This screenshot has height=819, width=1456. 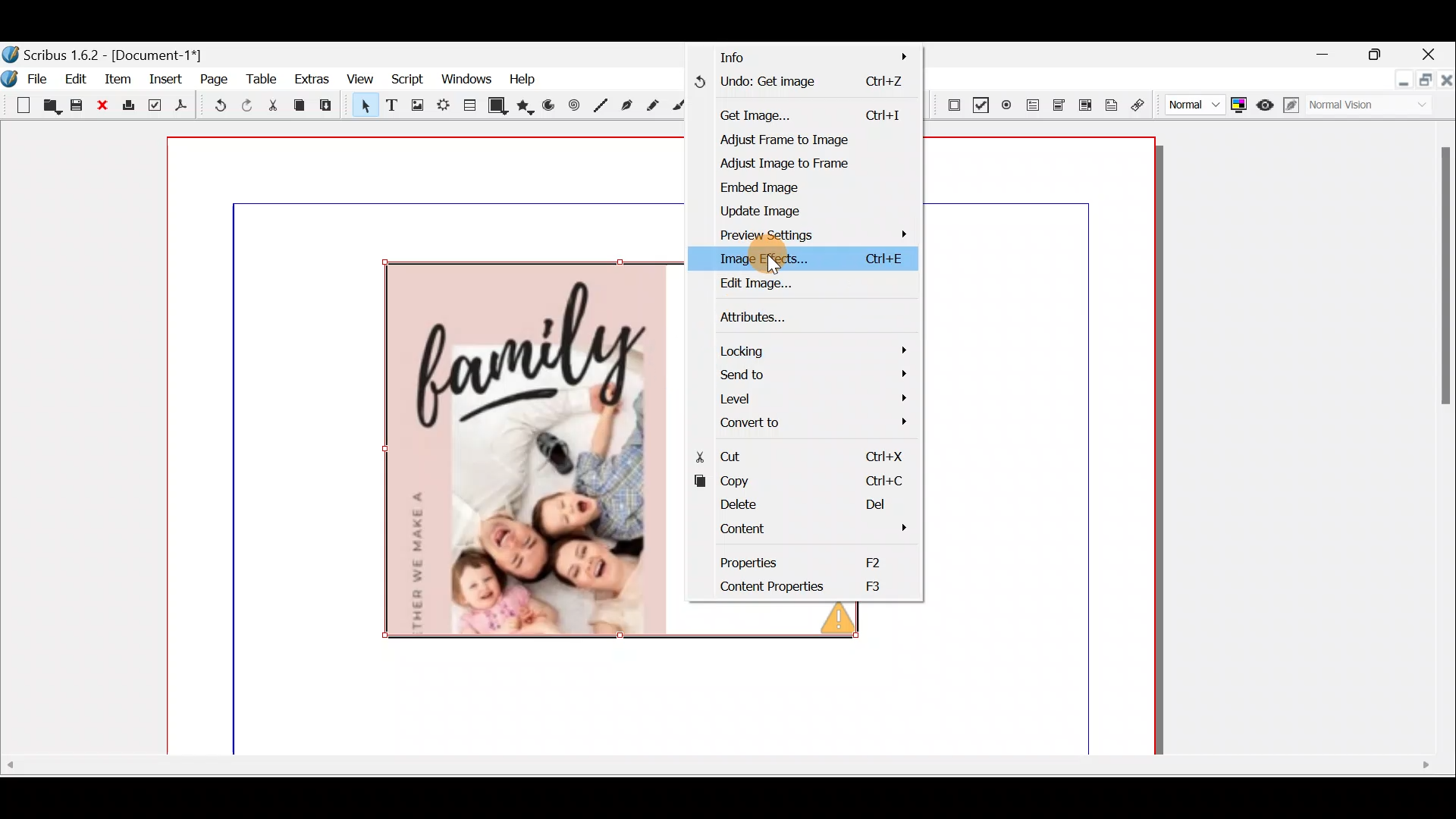 I want to click on Arc, so click(x=551, y=108).